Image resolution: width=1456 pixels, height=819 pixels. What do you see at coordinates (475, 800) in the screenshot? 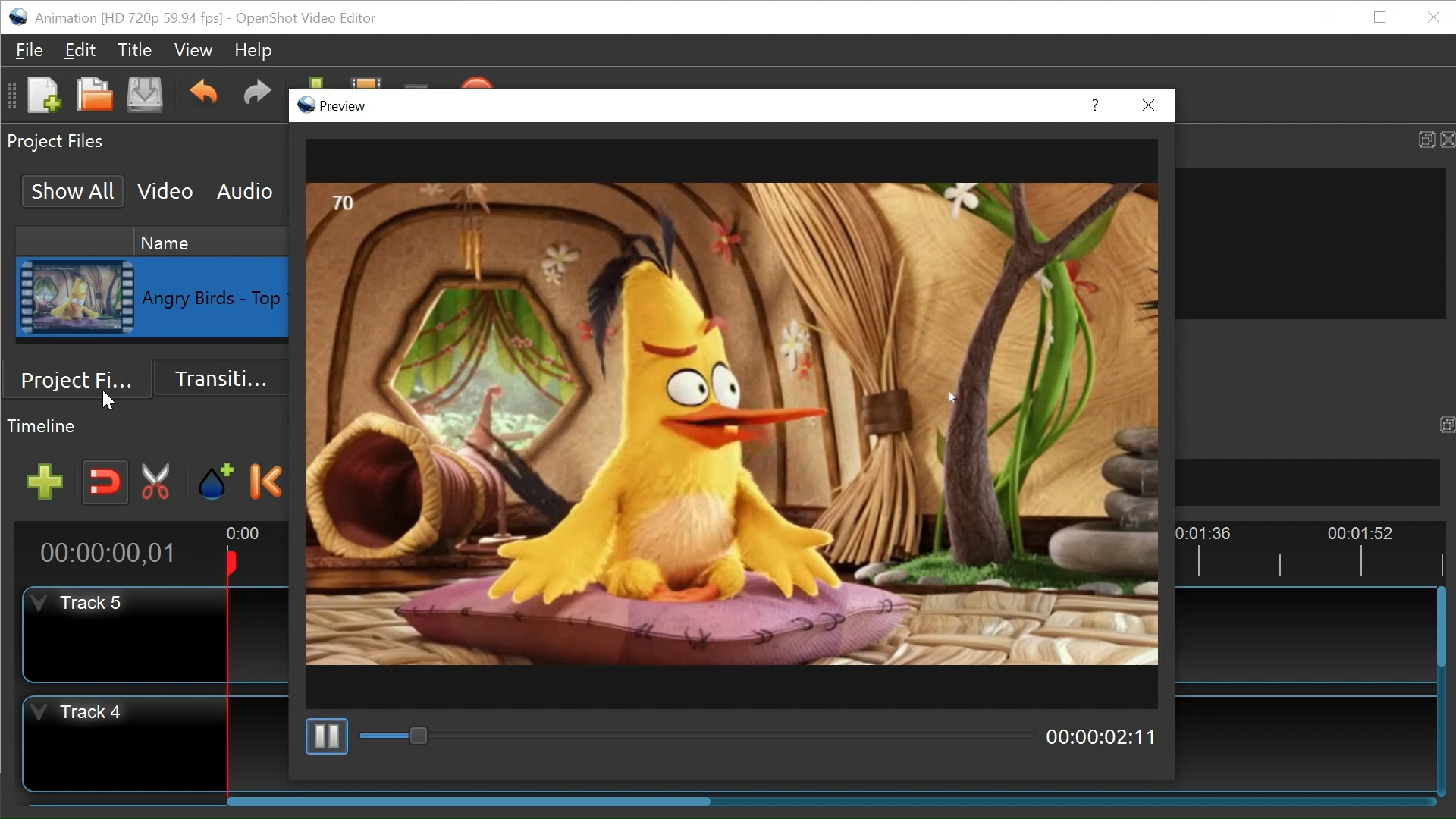
I see `Horizontal Scroll bar` at bounding box center [475, 800].